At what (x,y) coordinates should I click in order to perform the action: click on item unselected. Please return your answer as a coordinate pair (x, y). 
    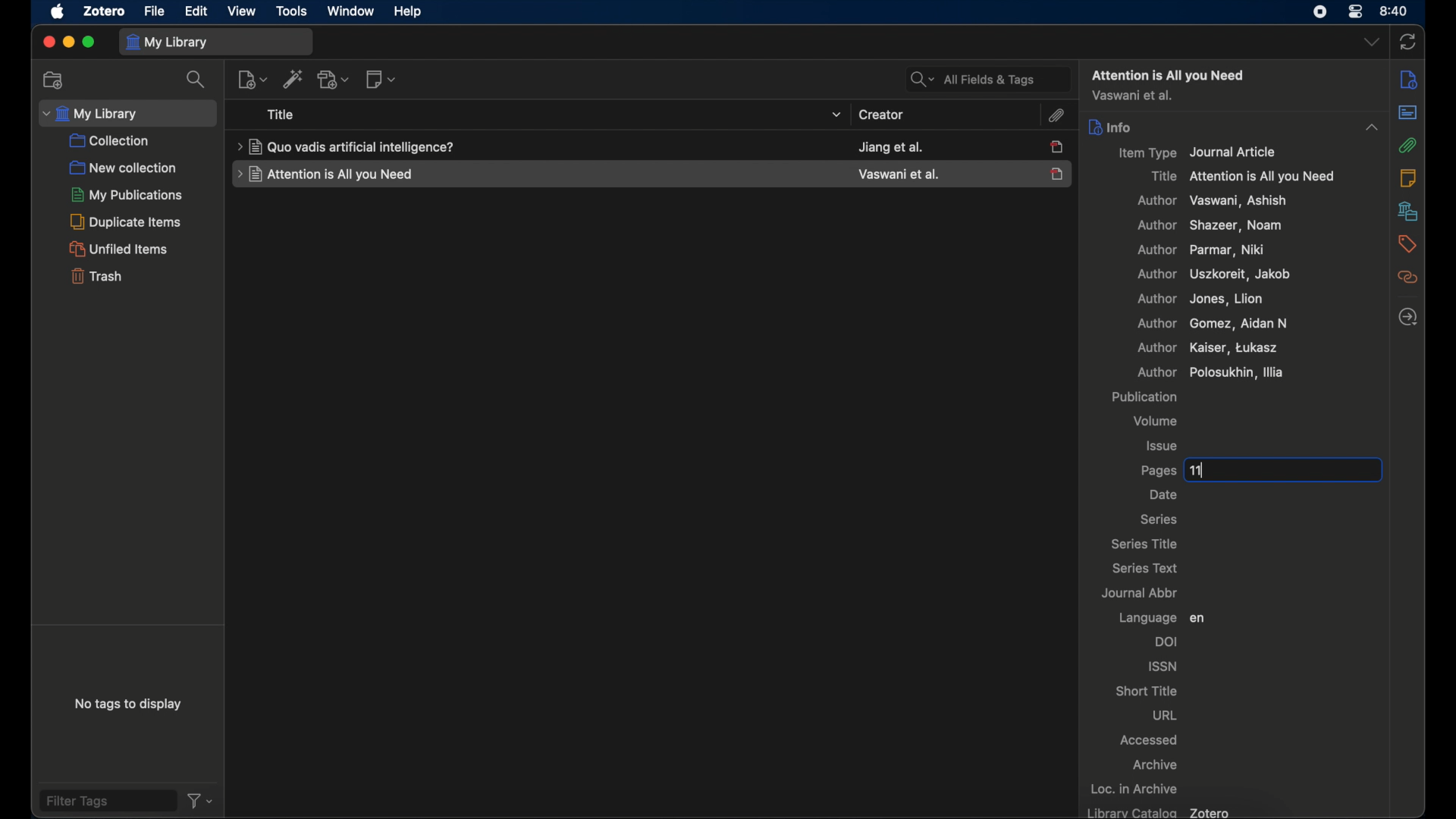
    Looking at the image, I should click on (1059, 147).